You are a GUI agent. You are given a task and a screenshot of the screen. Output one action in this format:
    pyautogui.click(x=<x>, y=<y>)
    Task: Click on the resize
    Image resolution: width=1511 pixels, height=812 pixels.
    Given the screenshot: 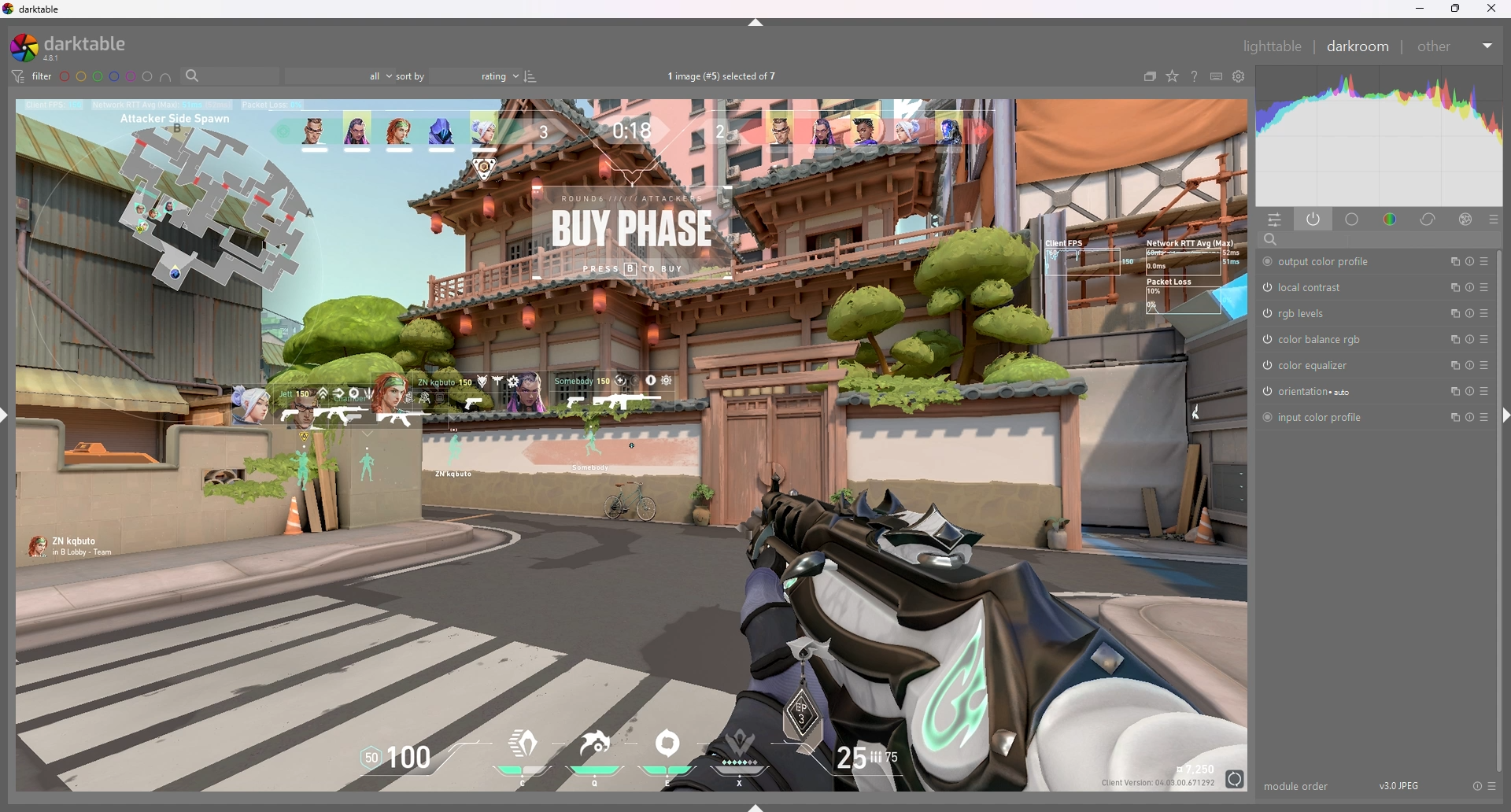 What is the action you would take?
    pyautogui.click(x=1456, y=9)
    